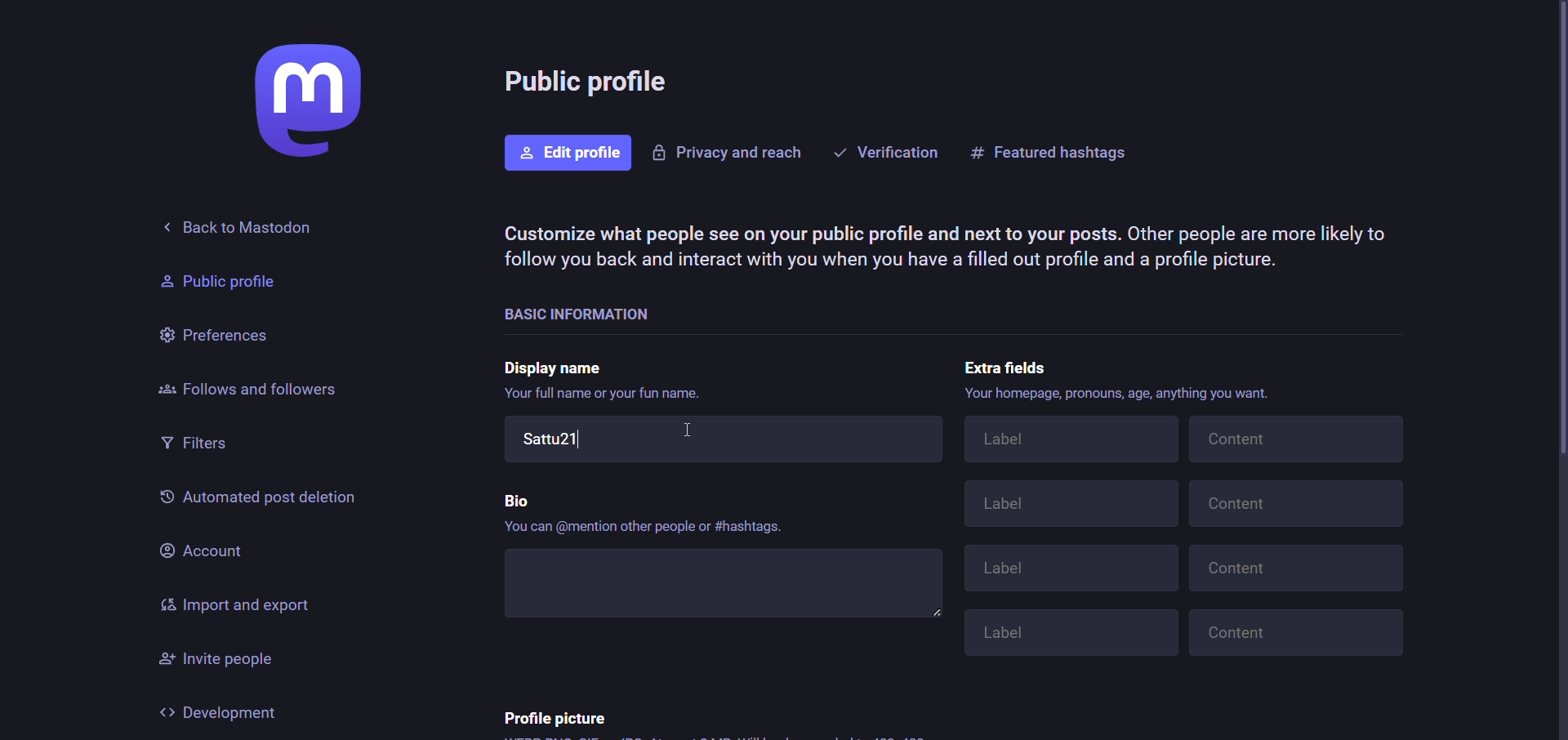  I want to click on back to mastodon, so click(253, 225).